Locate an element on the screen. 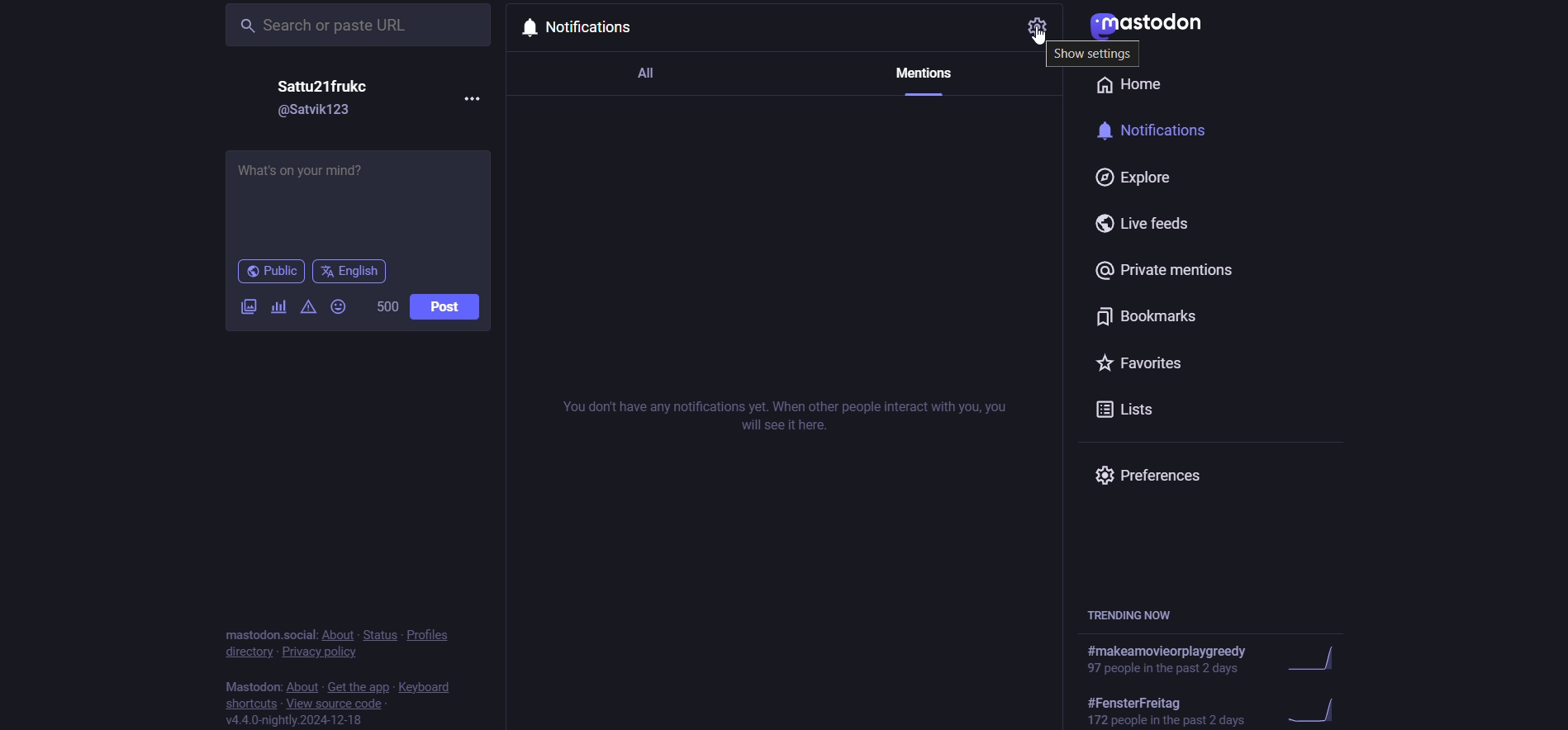 The height and width of the screenshot is (730, 1568). Public is located at coordinates (271, 272).